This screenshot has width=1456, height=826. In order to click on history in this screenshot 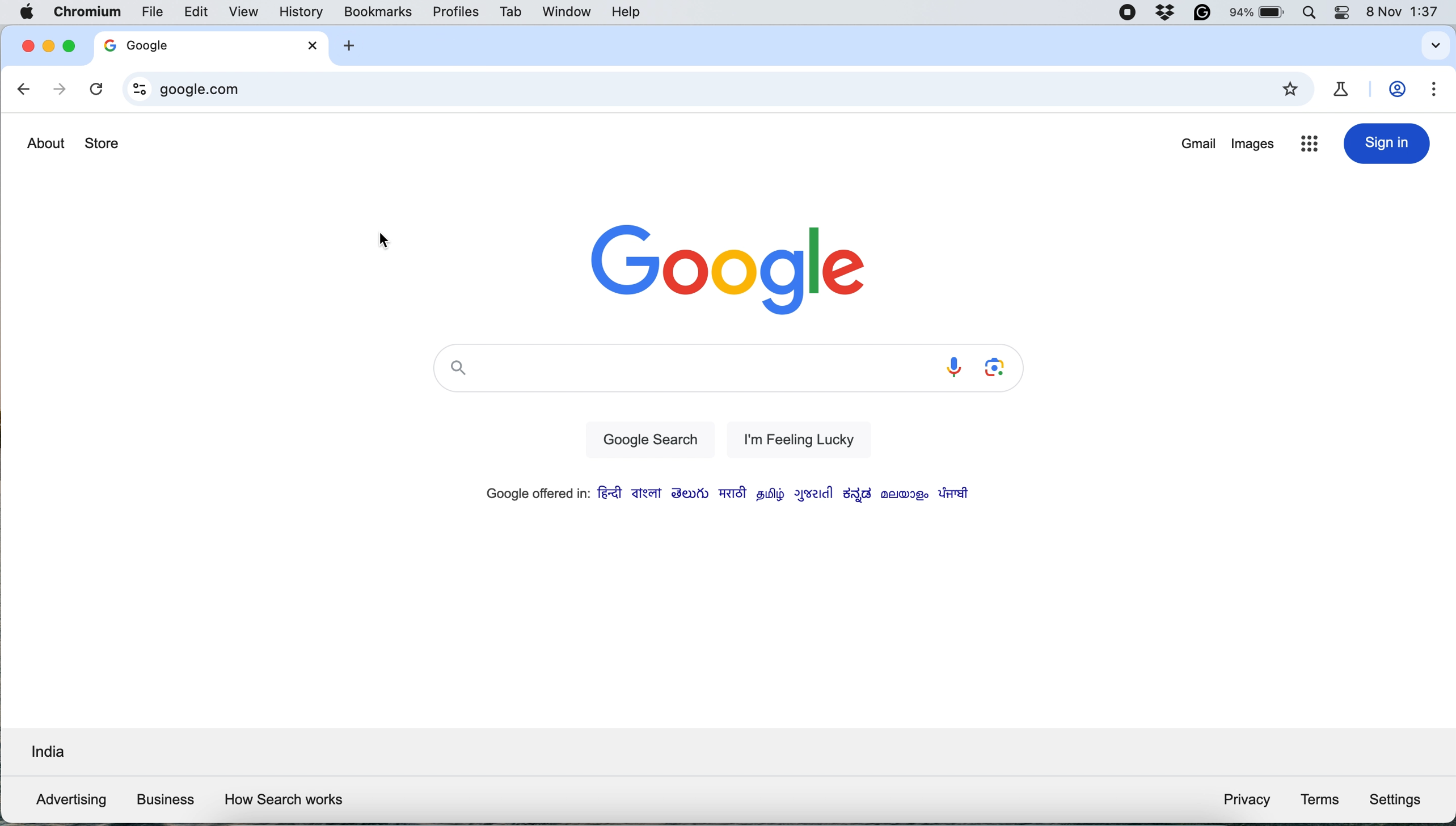, I will do `click(301, 12)`.